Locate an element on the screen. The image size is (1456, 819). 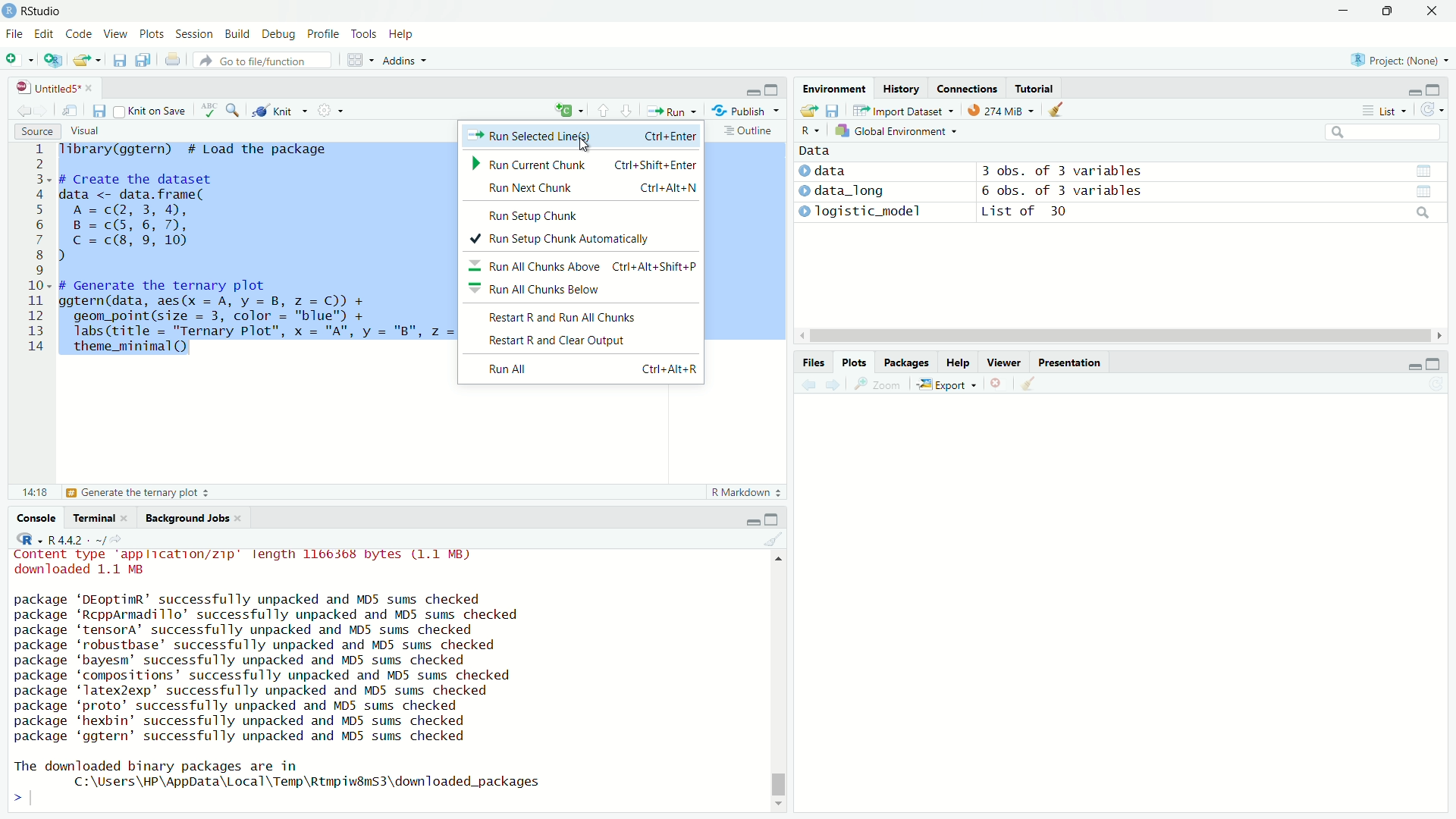
refresh is located at coordinates (1432, 112).